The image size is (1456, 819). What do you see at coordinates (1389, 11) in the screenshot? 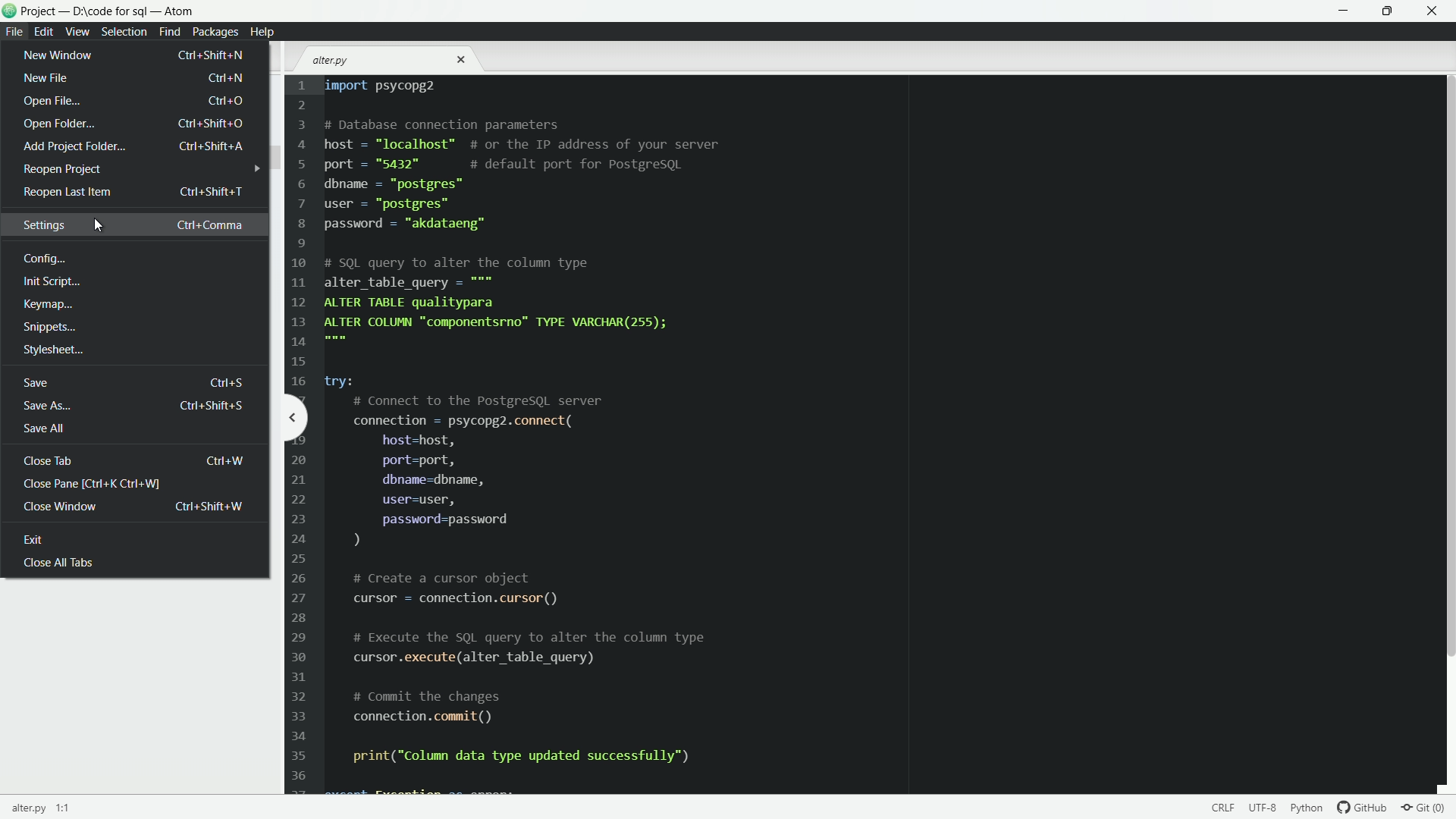
I see `maximize or restore` at bounding box center [1389, 11].